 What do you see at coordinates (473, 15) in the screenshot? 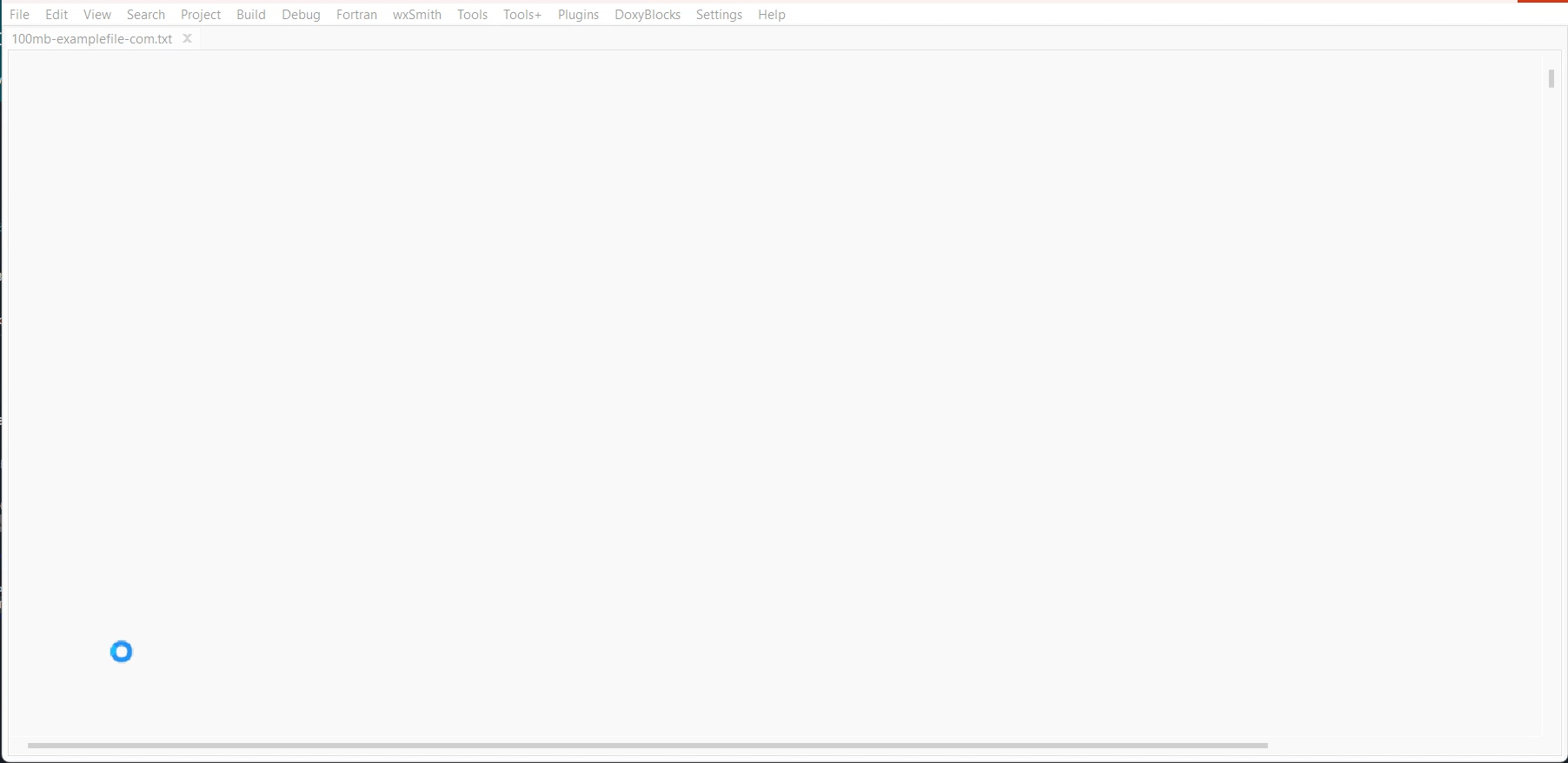
I see `Tools` at bounding box center [473, 15].